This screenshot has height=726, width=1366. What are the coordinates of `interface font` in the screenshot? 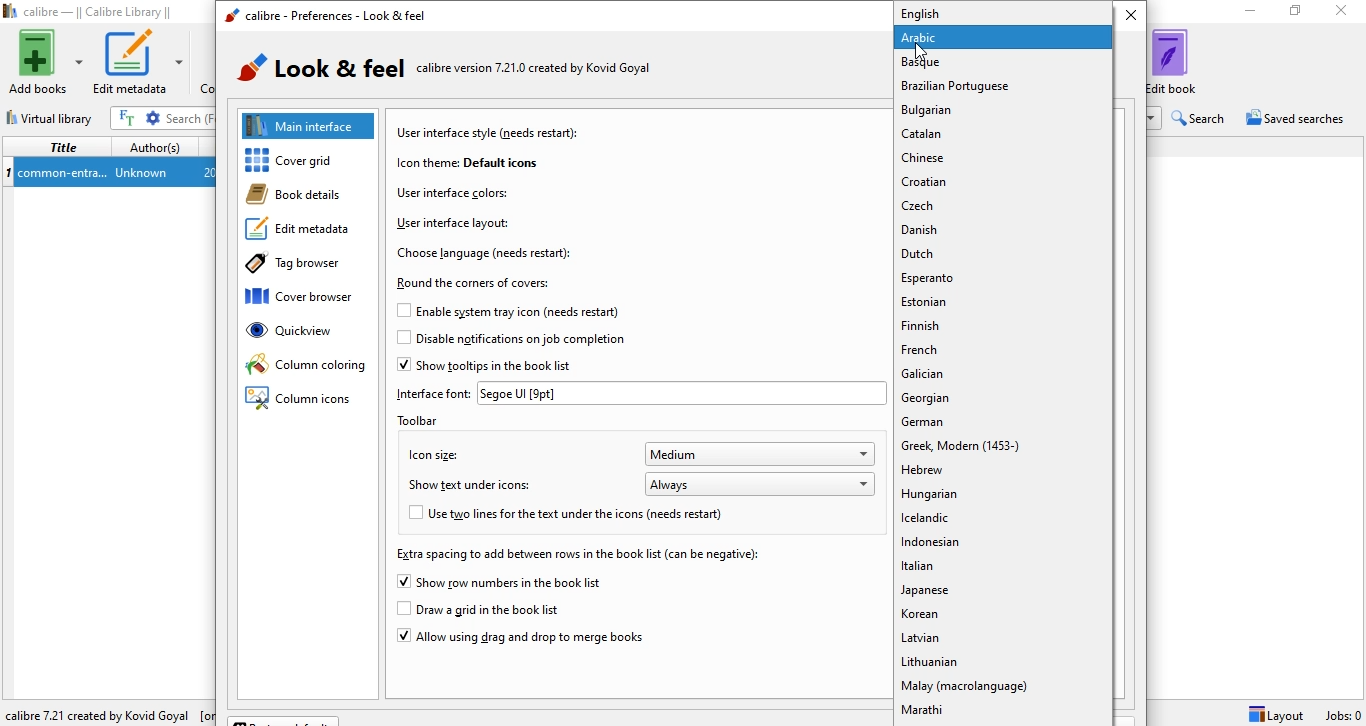 It's located at (433, 393).